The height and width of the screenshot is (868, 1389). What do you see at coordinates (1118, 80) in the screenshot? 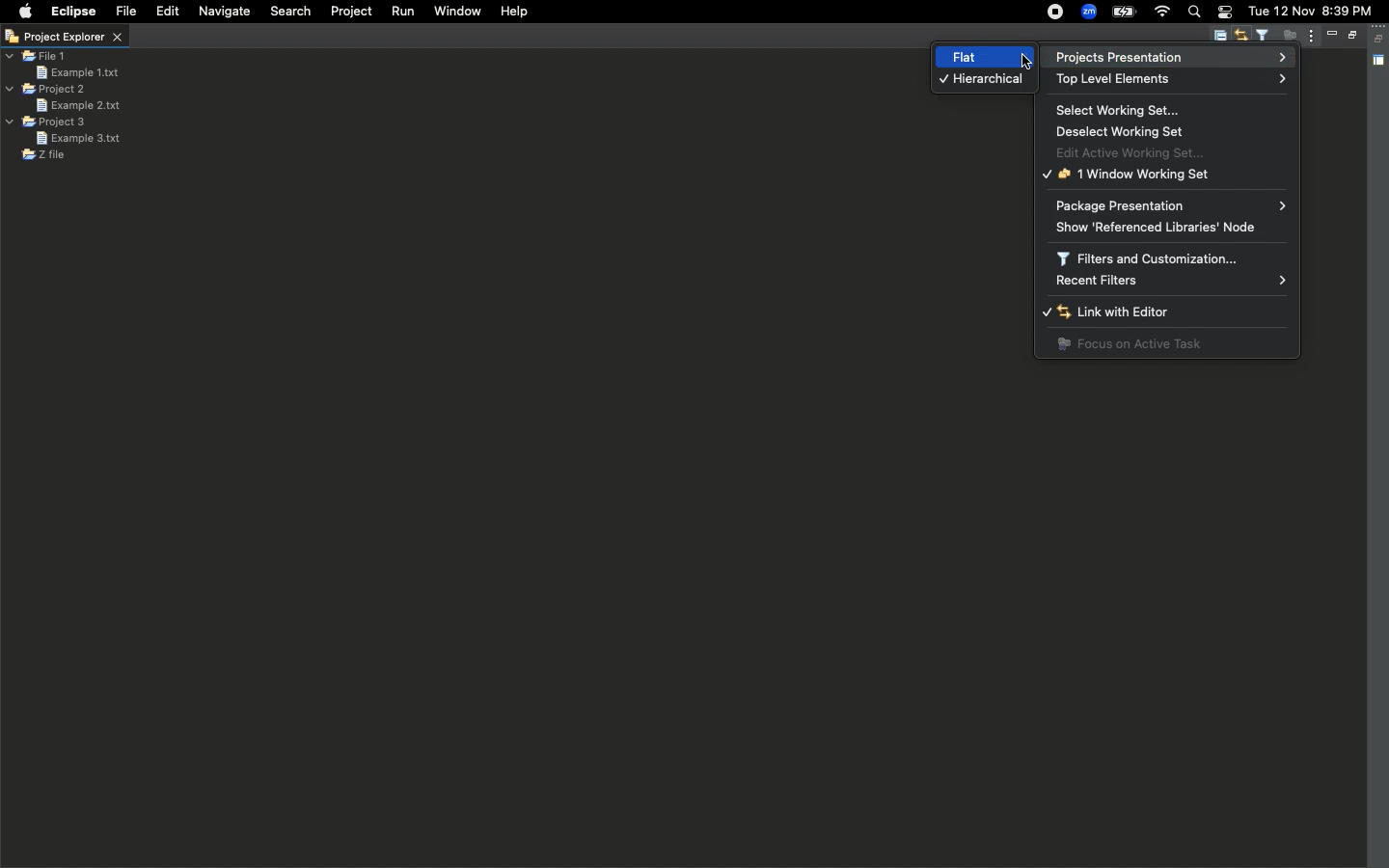
I see `Top level elements` at bounding box center [1118, 80].